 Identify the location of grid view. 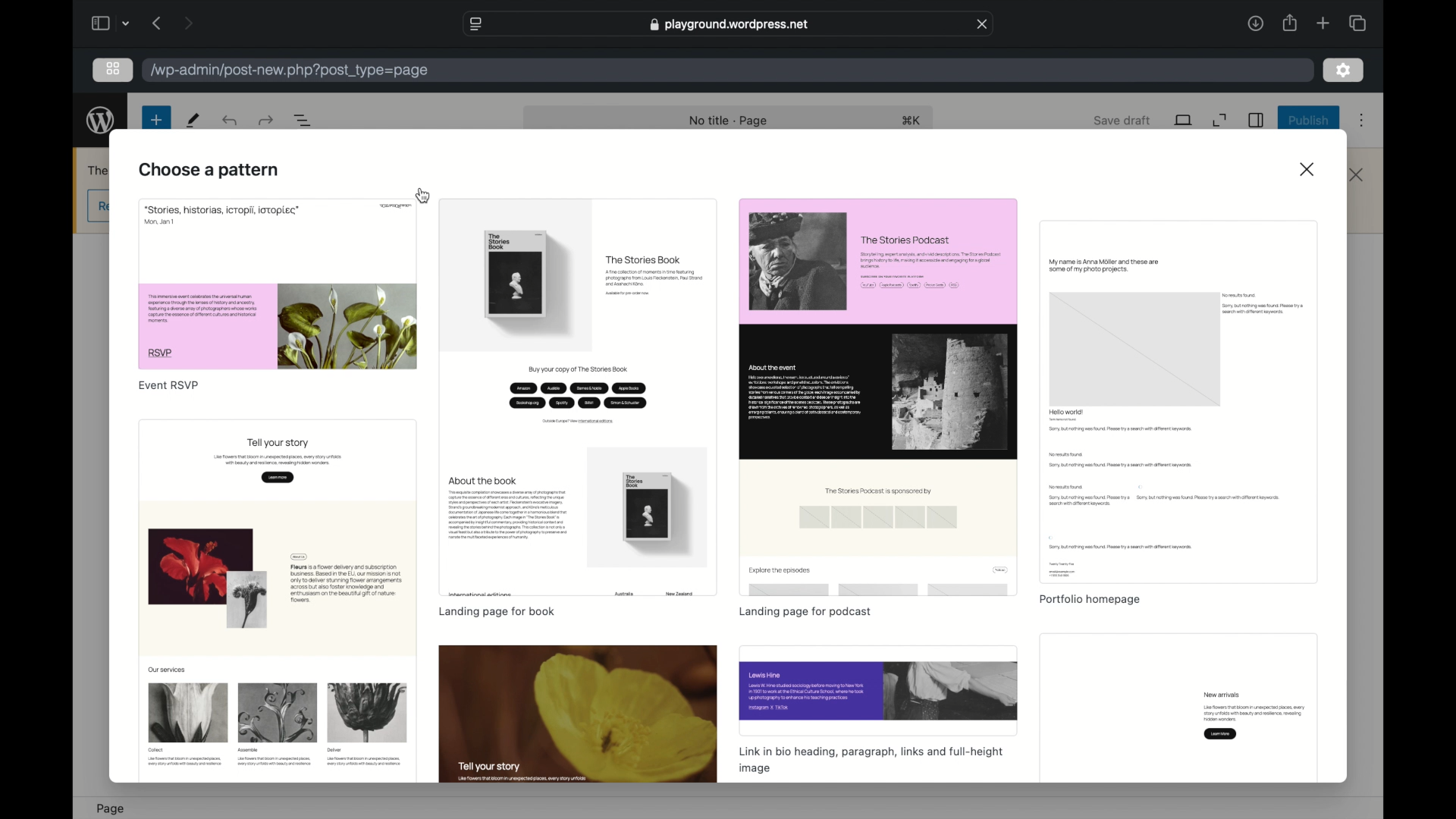
(113, 68).